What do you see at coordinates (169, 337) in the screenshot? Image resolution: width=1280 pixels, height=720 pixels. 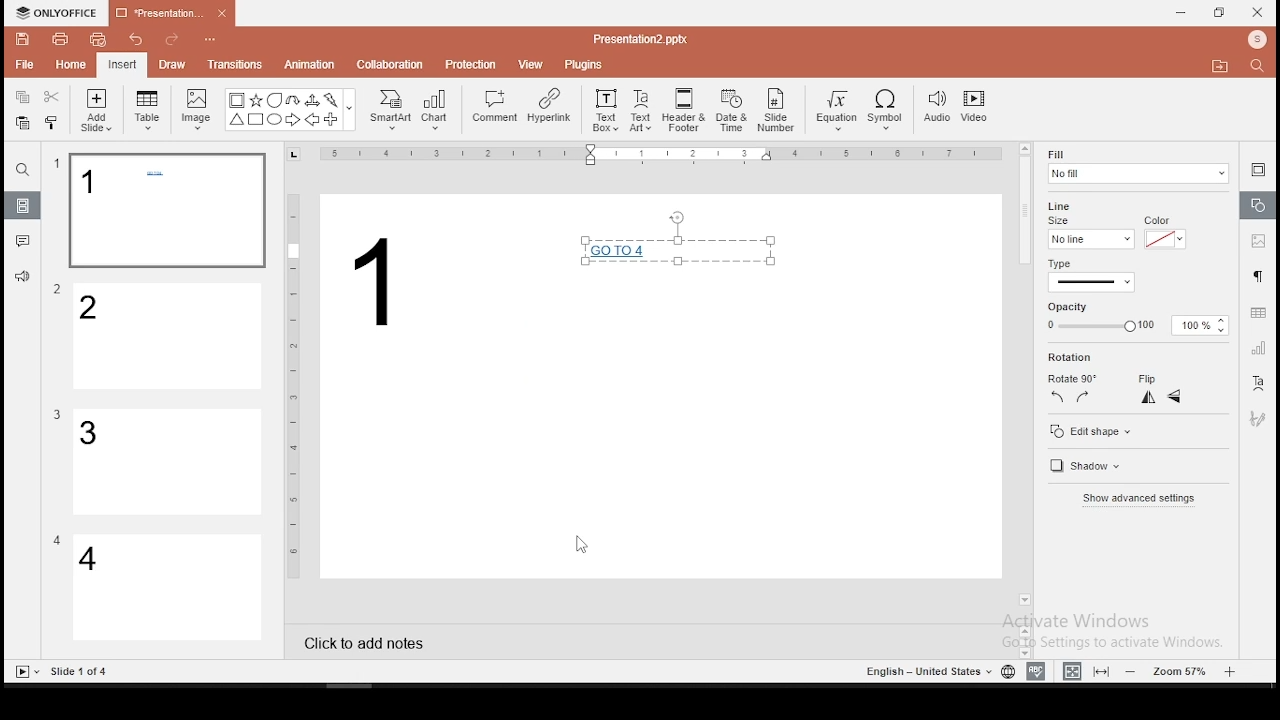 I see `slide 2` at bounding box center [169, 337].